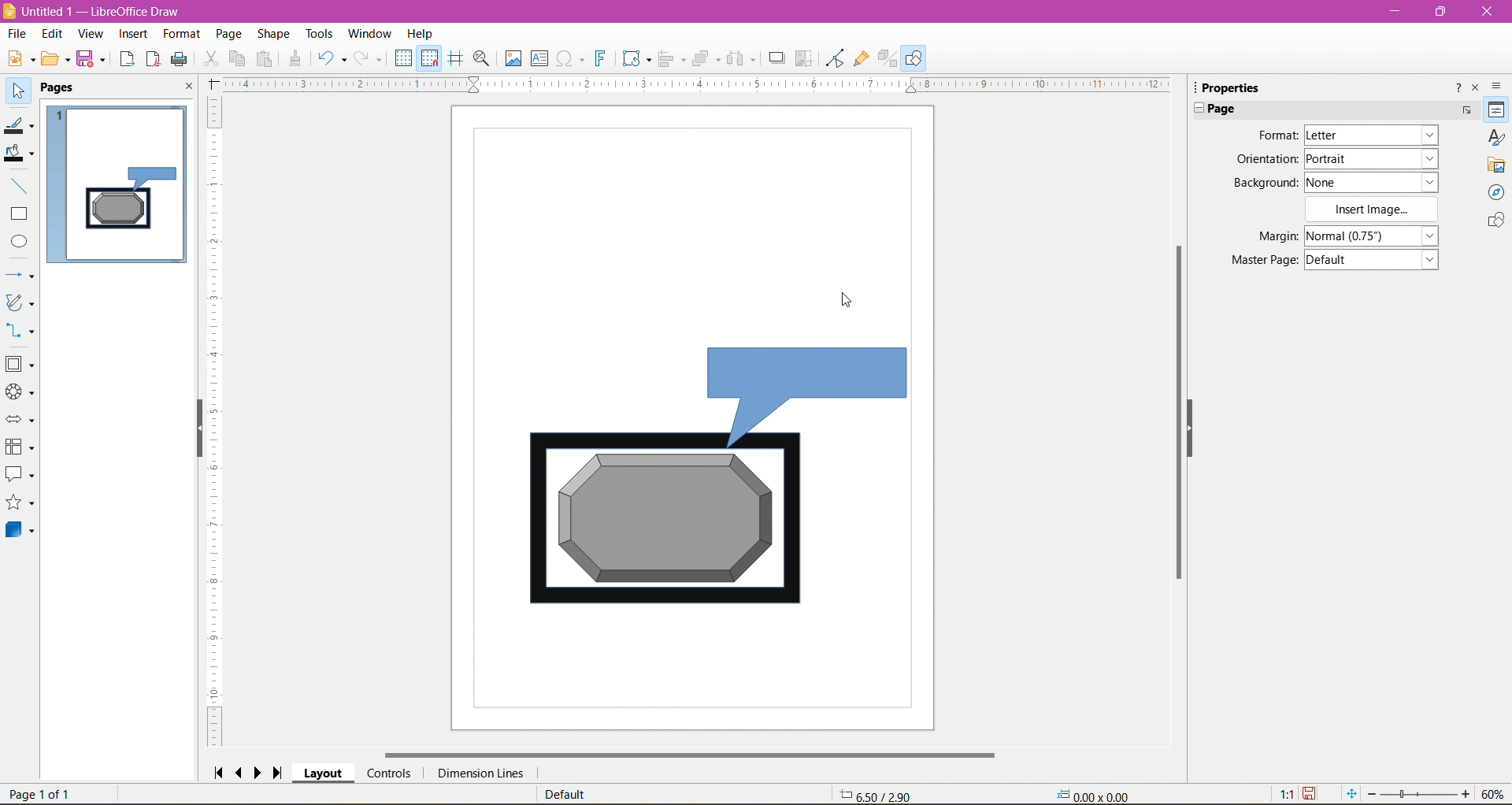 The image size is (1512, 805). Describe the element at coordinates (696, 85) in the screenshot. I see `Ruler` at that location.